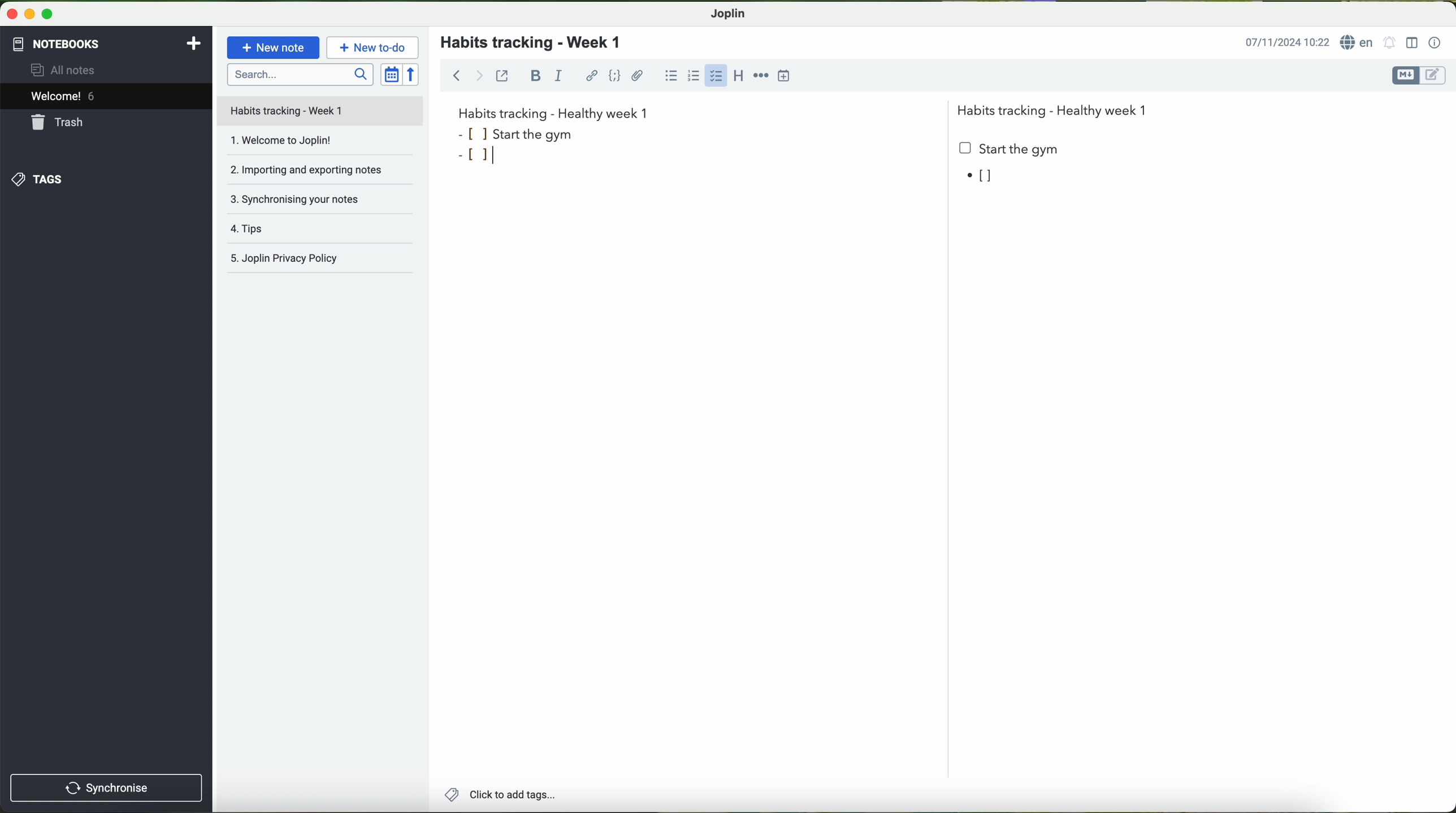 The image size is (1456, 813). I want to click on new to-do button, so click(372, 47).